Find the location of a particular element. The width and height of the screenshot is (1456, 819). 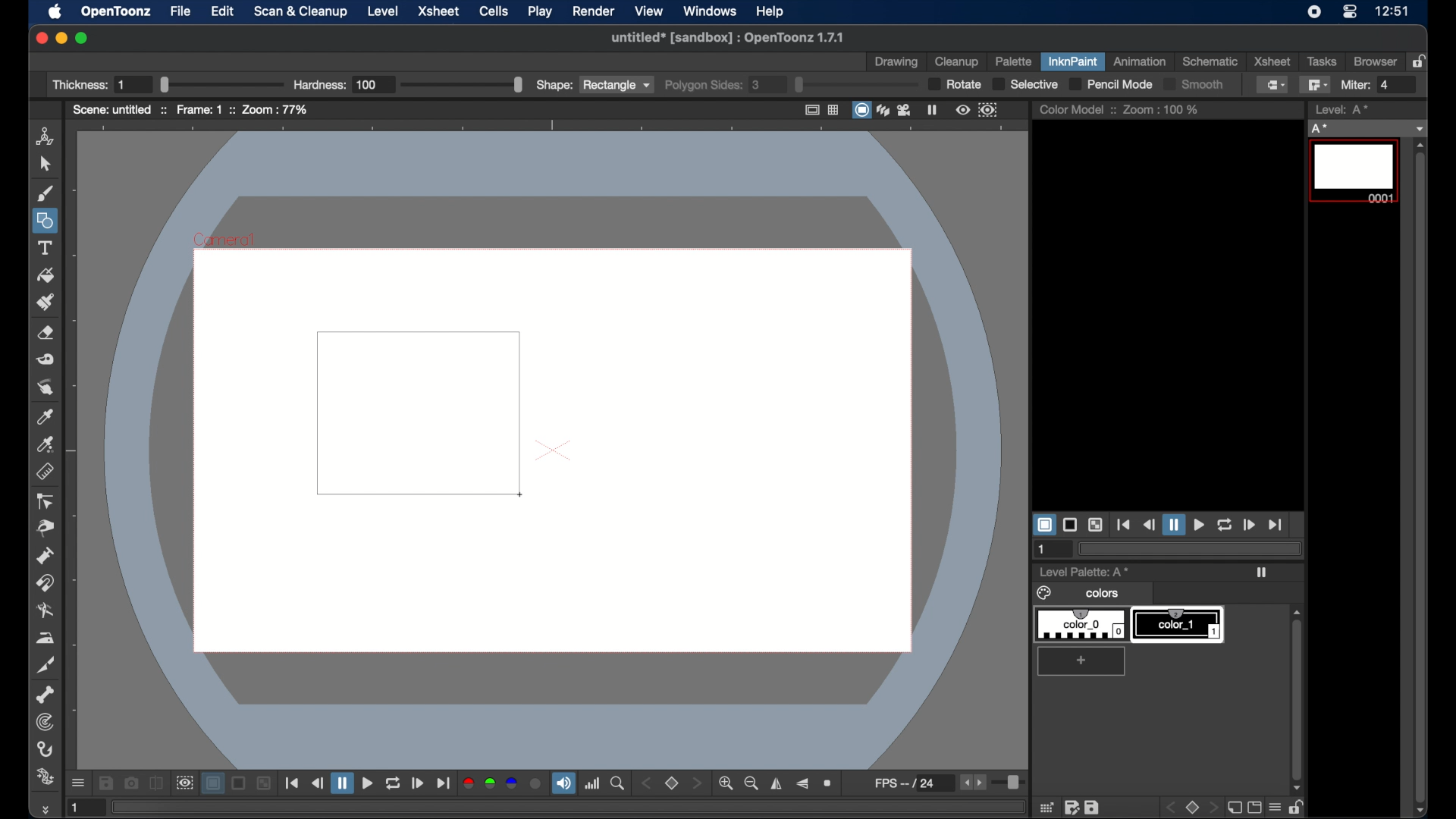

opentoonz is located at coordinates (117, 12).